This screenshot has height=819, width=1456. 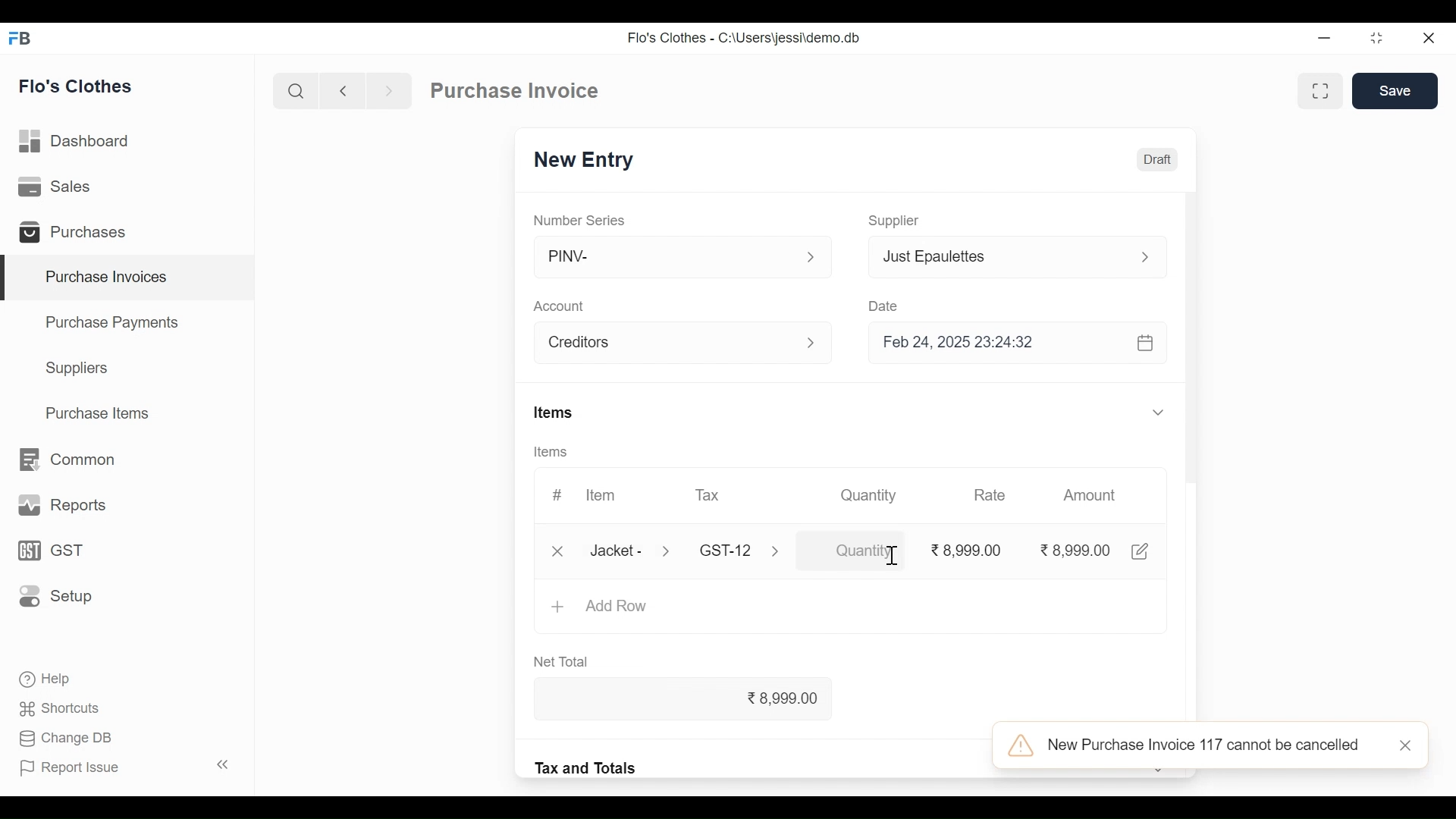 I want to click on 8,999.00, so click(x=701, y=700).